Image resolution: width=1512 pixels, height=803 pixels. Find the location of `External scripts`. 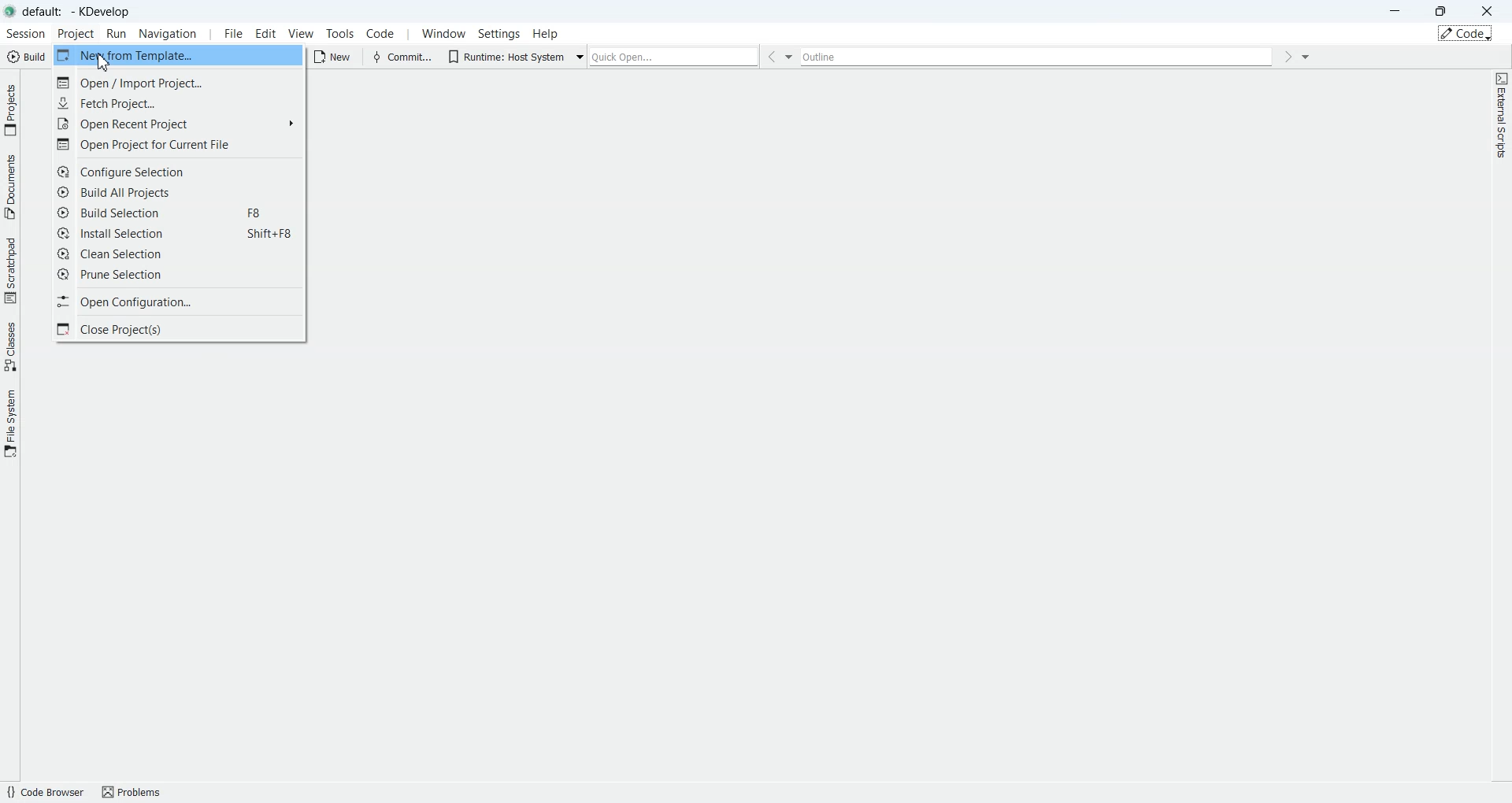

External scripts is located at coordinates (1501, 120).